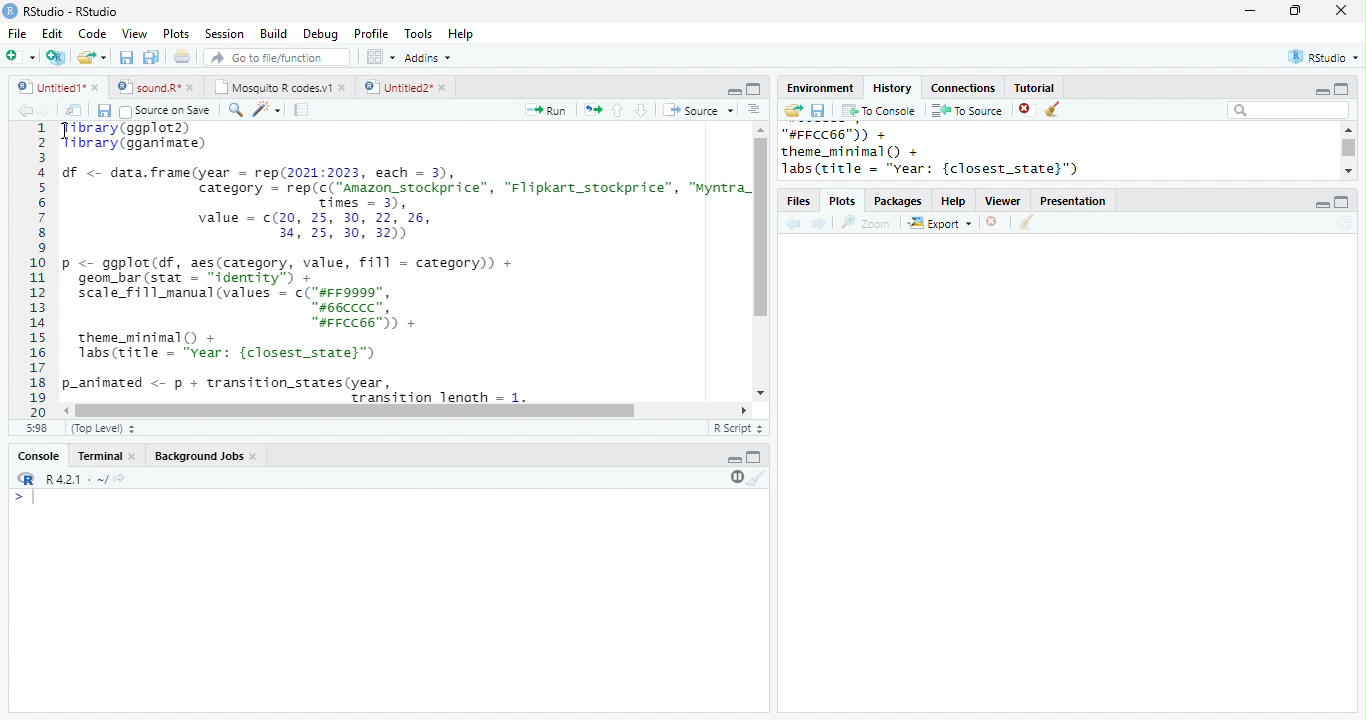 The image size is (1366, 720). I want to click on save, so click(104, 110).